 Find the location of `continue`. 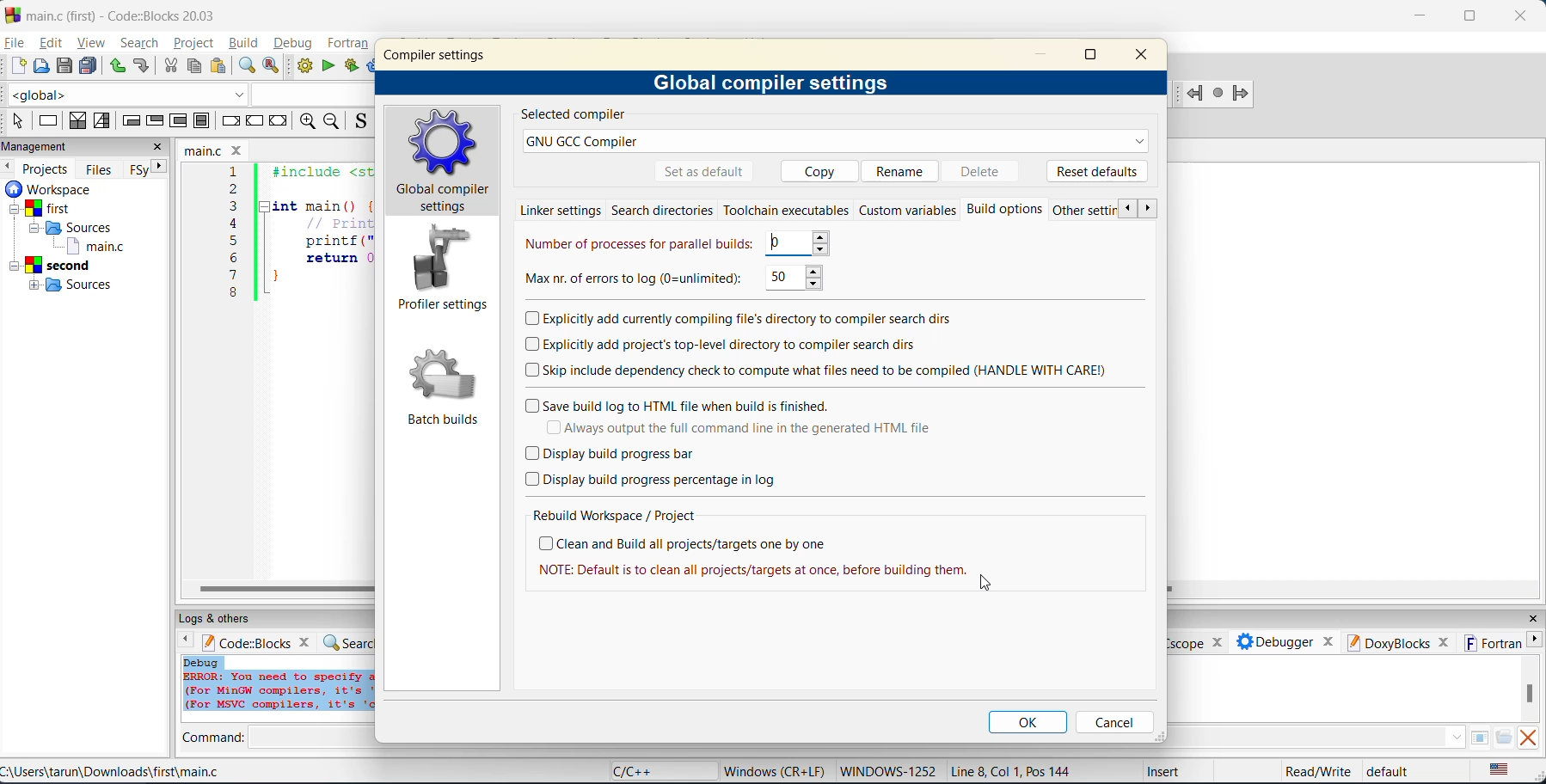

continue is located at coordinates (255, 119).